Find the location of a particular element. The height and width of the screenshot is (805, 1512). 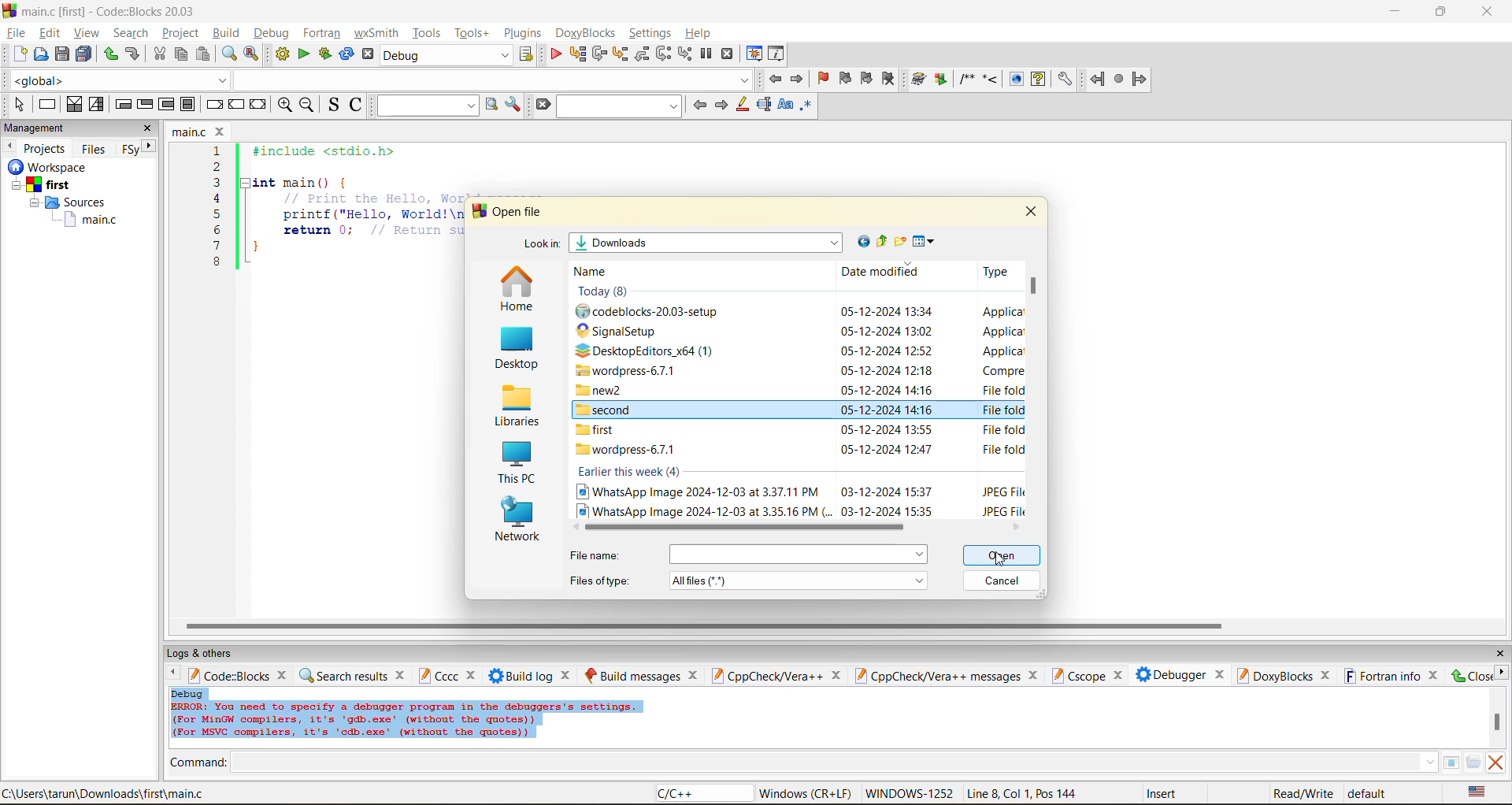

dropdown is located at coordinates (491, 80).